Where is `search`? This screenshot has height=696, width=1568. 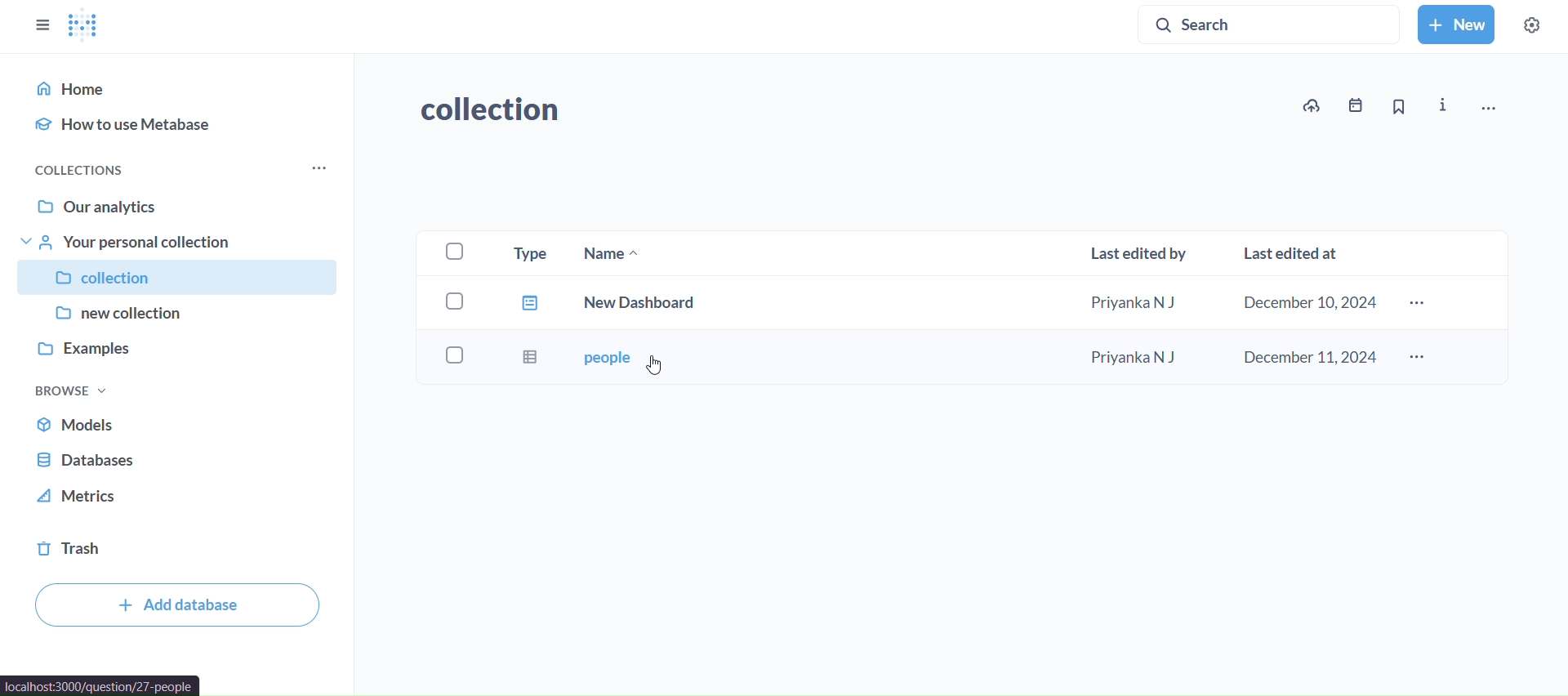
search is located at coordinates (1267, 25).